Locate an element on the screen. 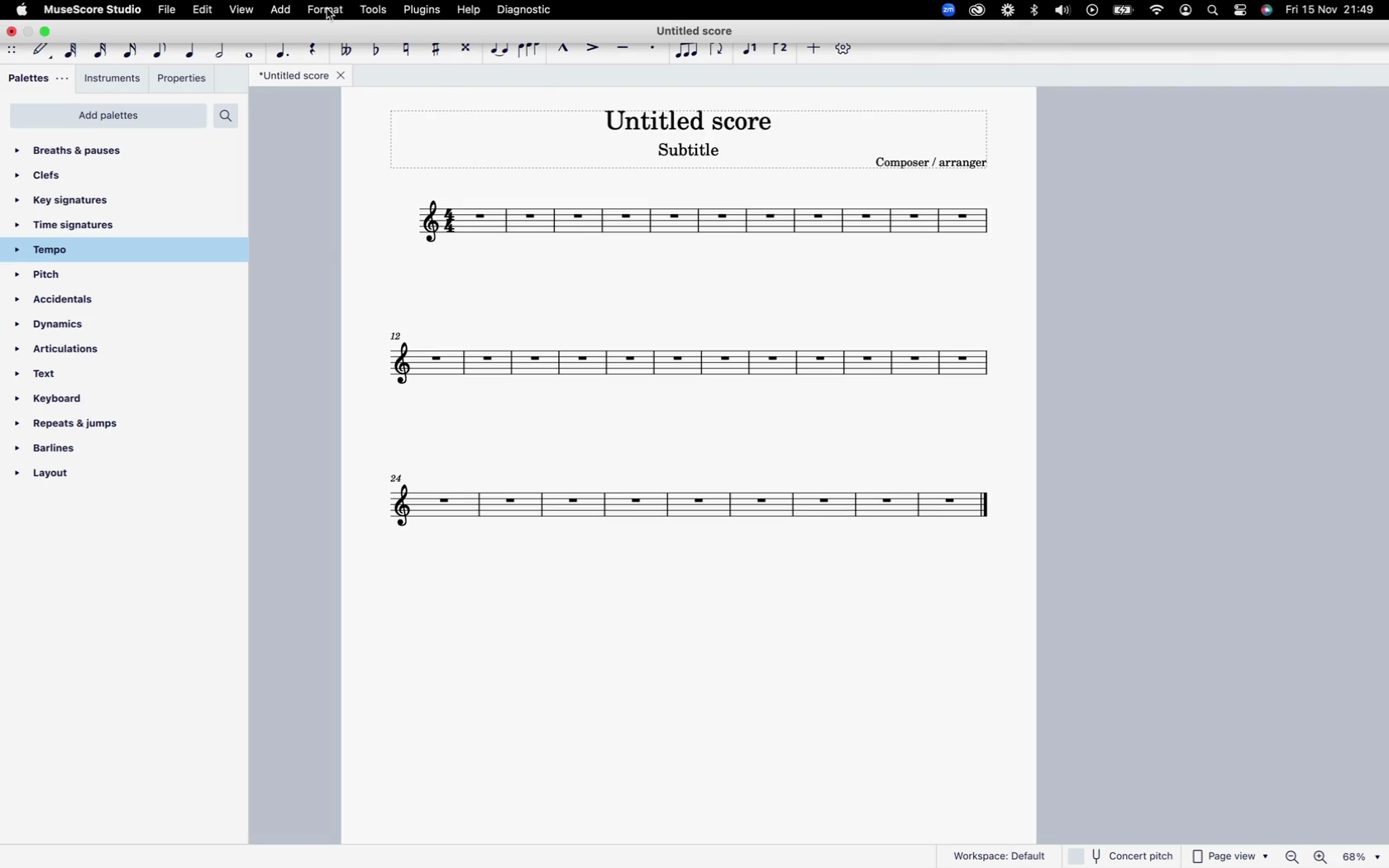 The height and width of the screenshot is (868, 1389). text is located at coordinates (53, 379).